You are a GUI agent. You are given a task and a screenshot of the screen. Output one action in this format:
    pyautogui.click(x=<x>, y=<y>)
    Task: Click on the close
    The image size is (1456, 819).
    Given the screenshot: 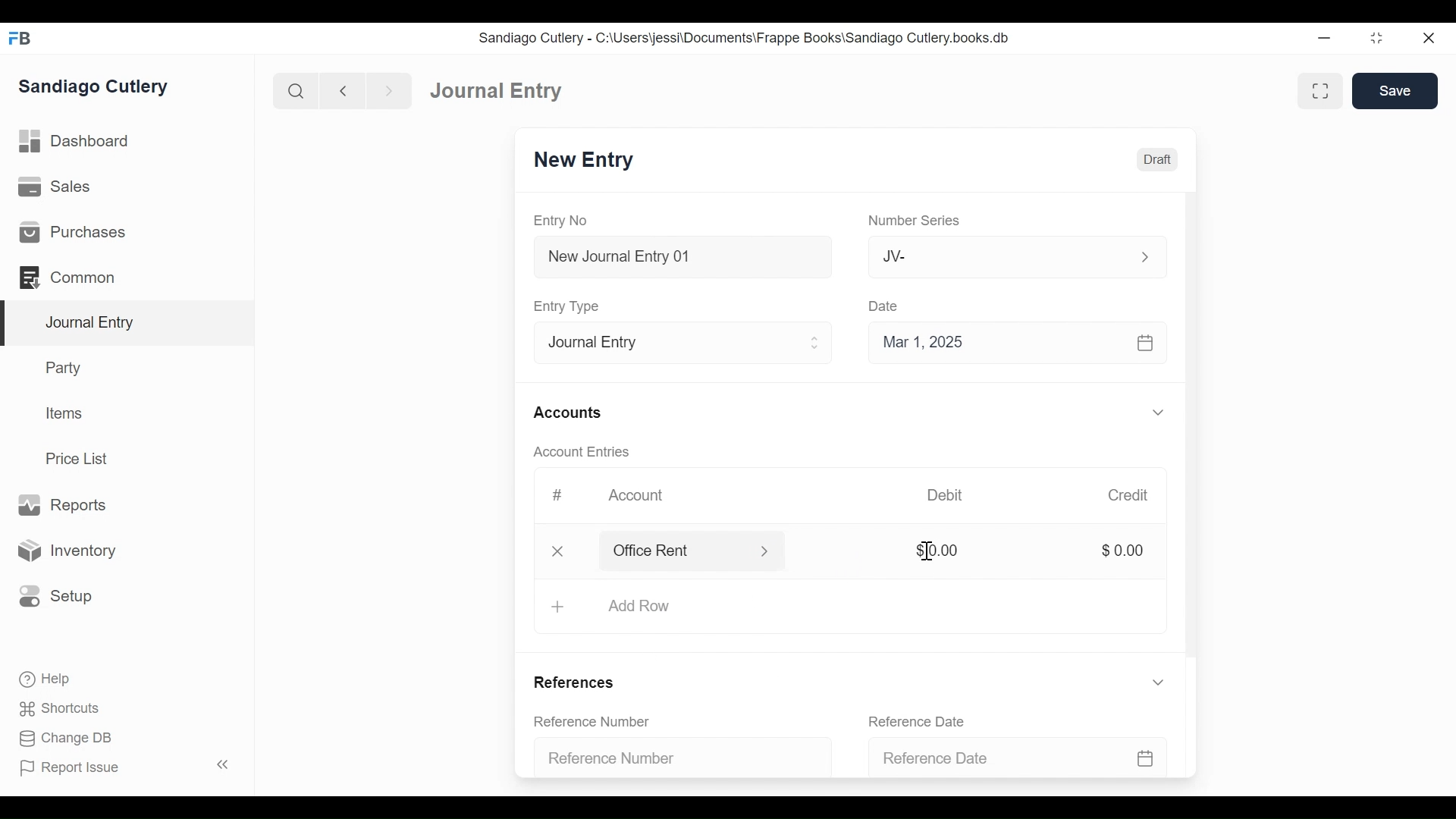 What is the action you would take?
    pyautogui.click(x=1434, y=36)
    